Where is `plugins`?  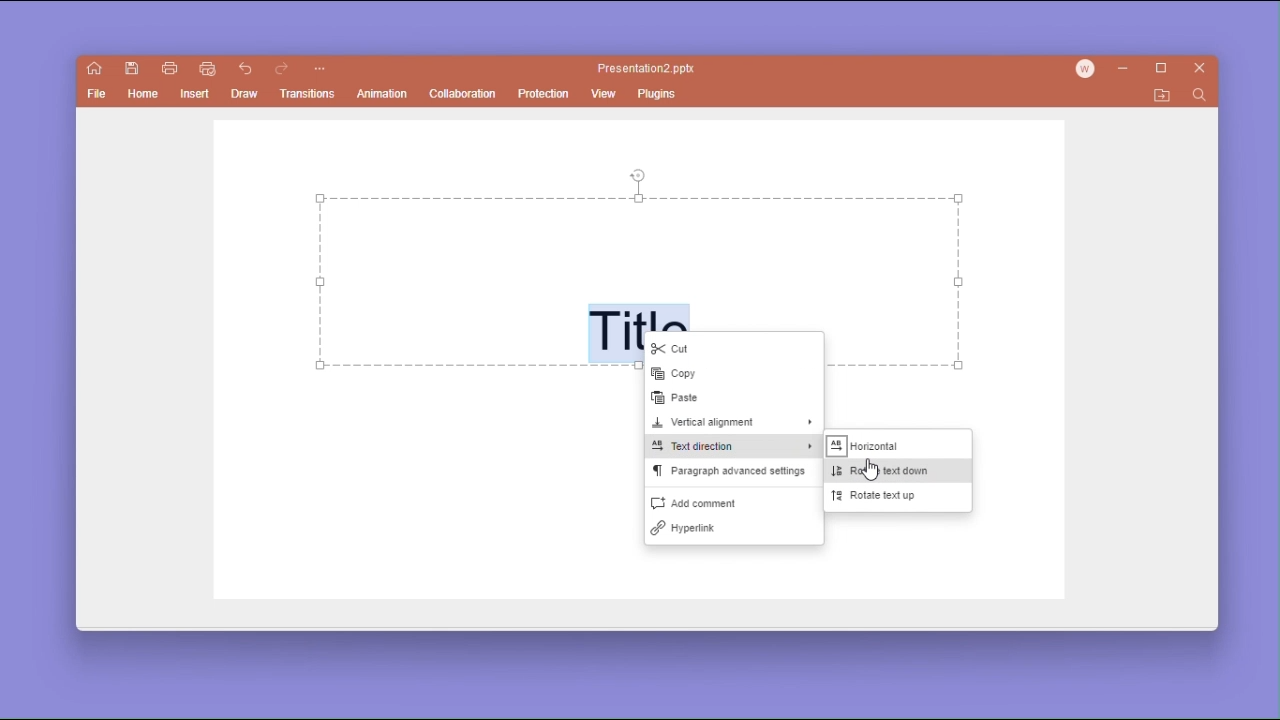 plugins is located at coordinates (659, 93).